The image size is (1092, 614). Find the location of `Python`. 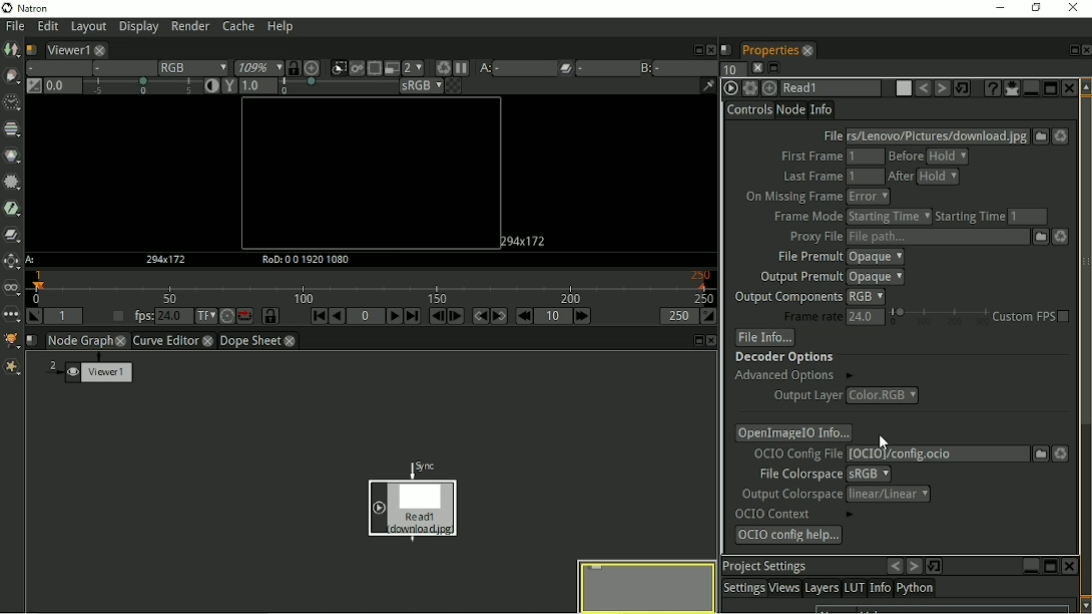

Python is located at coordinates (917, 587).